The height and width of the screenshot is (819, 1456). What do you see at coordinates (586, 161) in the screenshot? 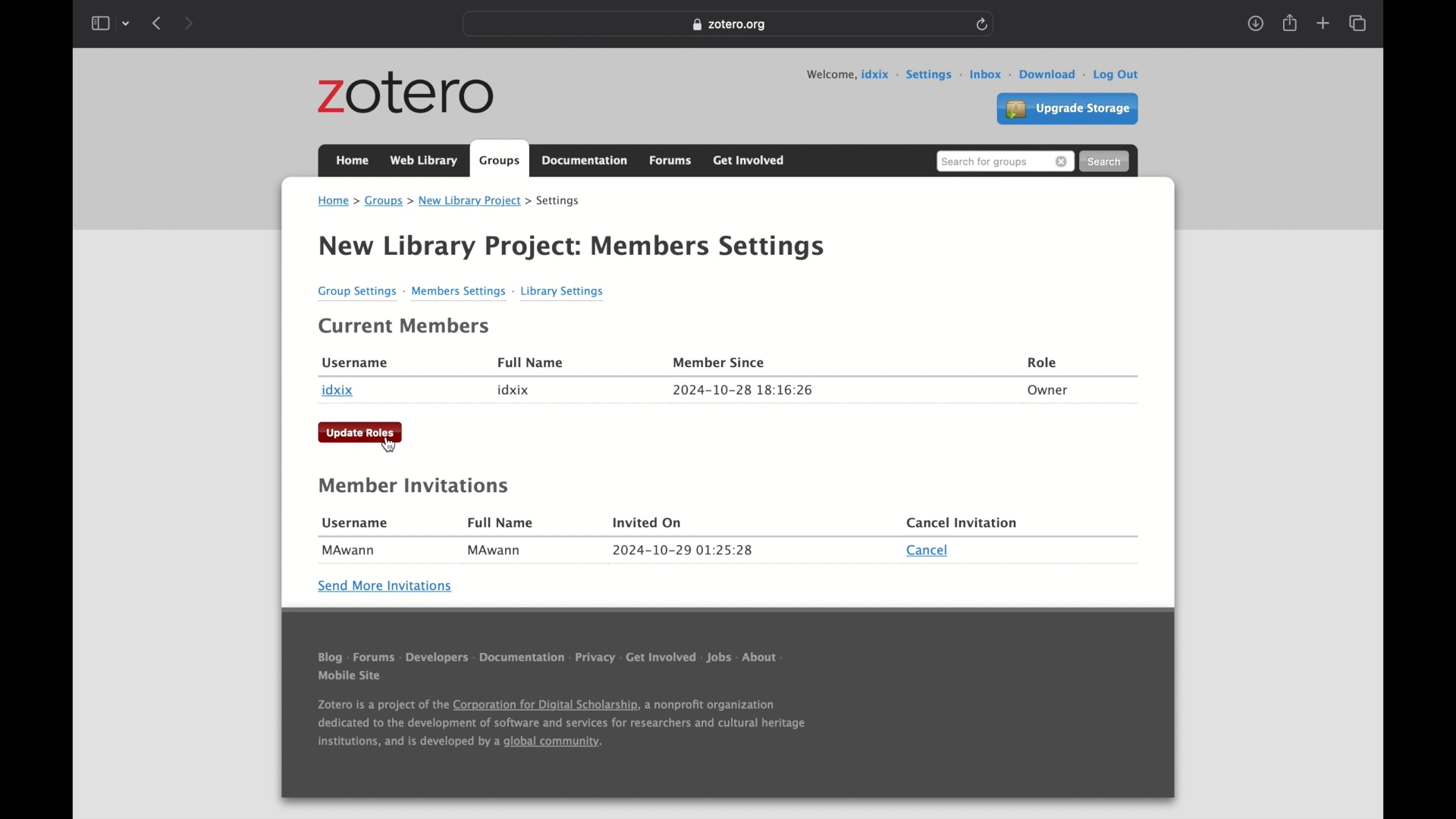
I see `documentation` at bounding box center [586, 161].